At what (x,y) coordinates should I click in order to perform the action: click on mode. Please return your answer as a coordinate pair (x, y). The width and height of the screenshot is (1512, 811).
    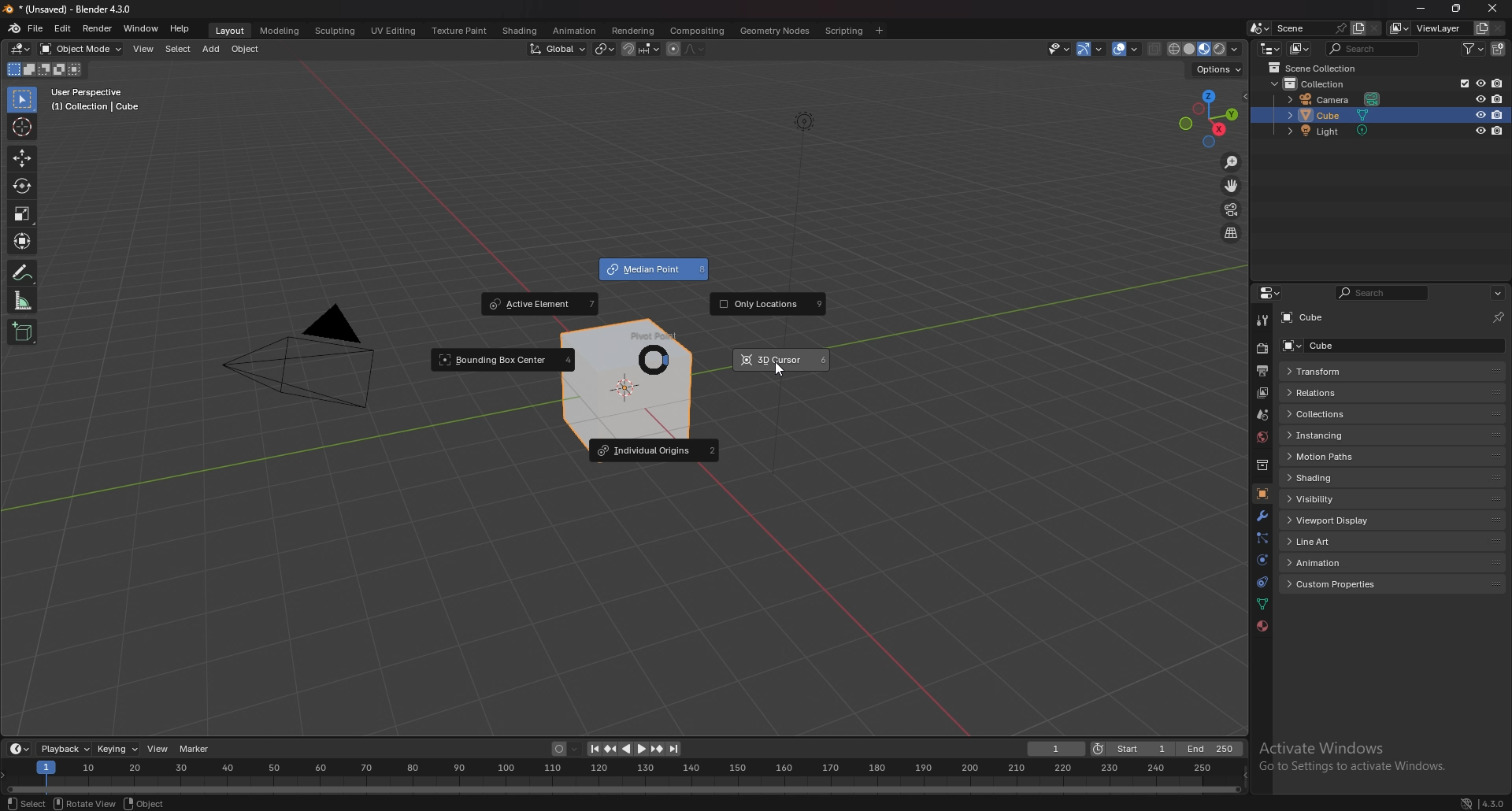
    Looking at the image, I should click on (45, 69).